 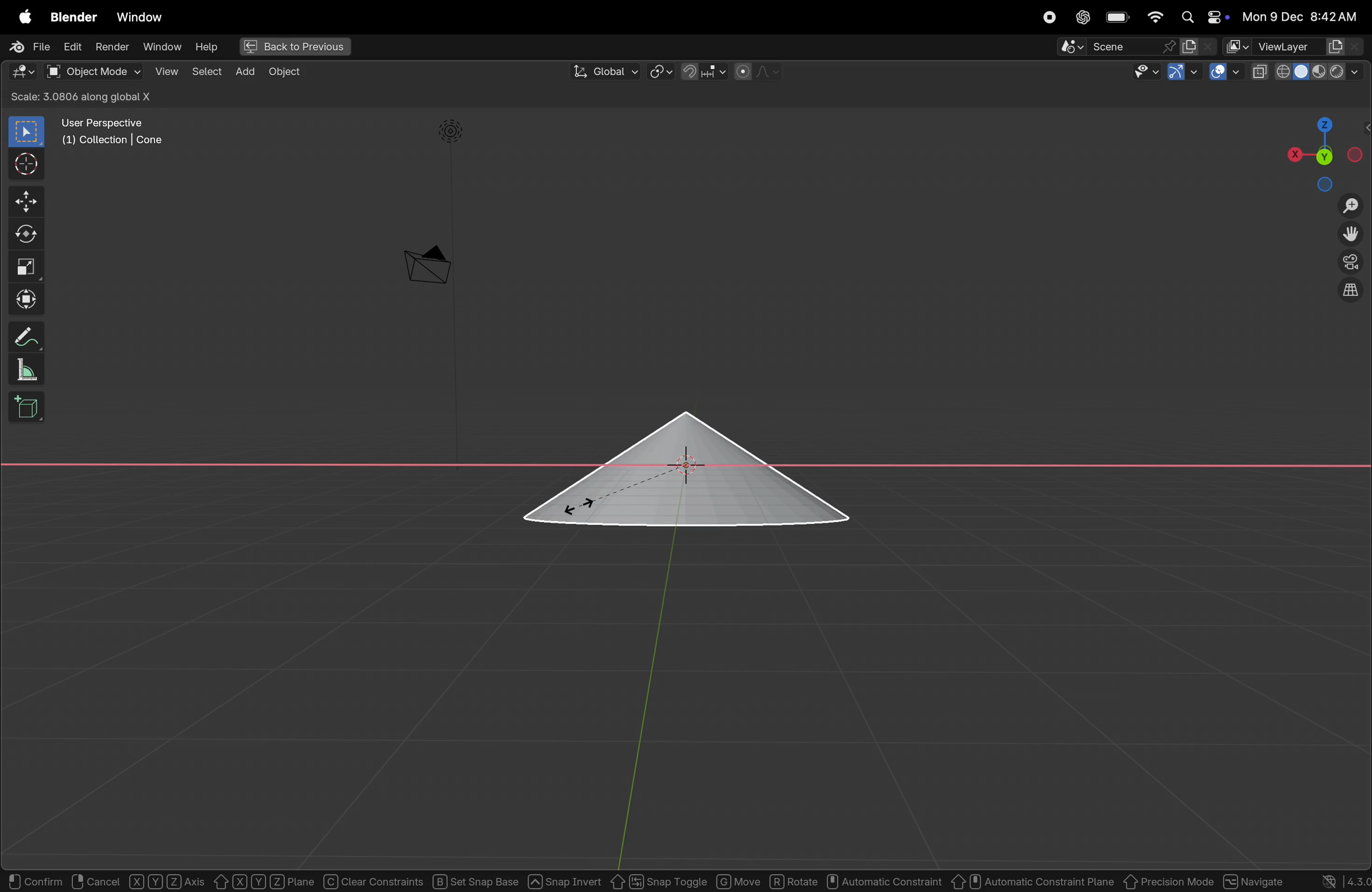 What do you see at coordinates (24, 407) in the screenshot?
I see `add cube` at bounding box center [24, 407].